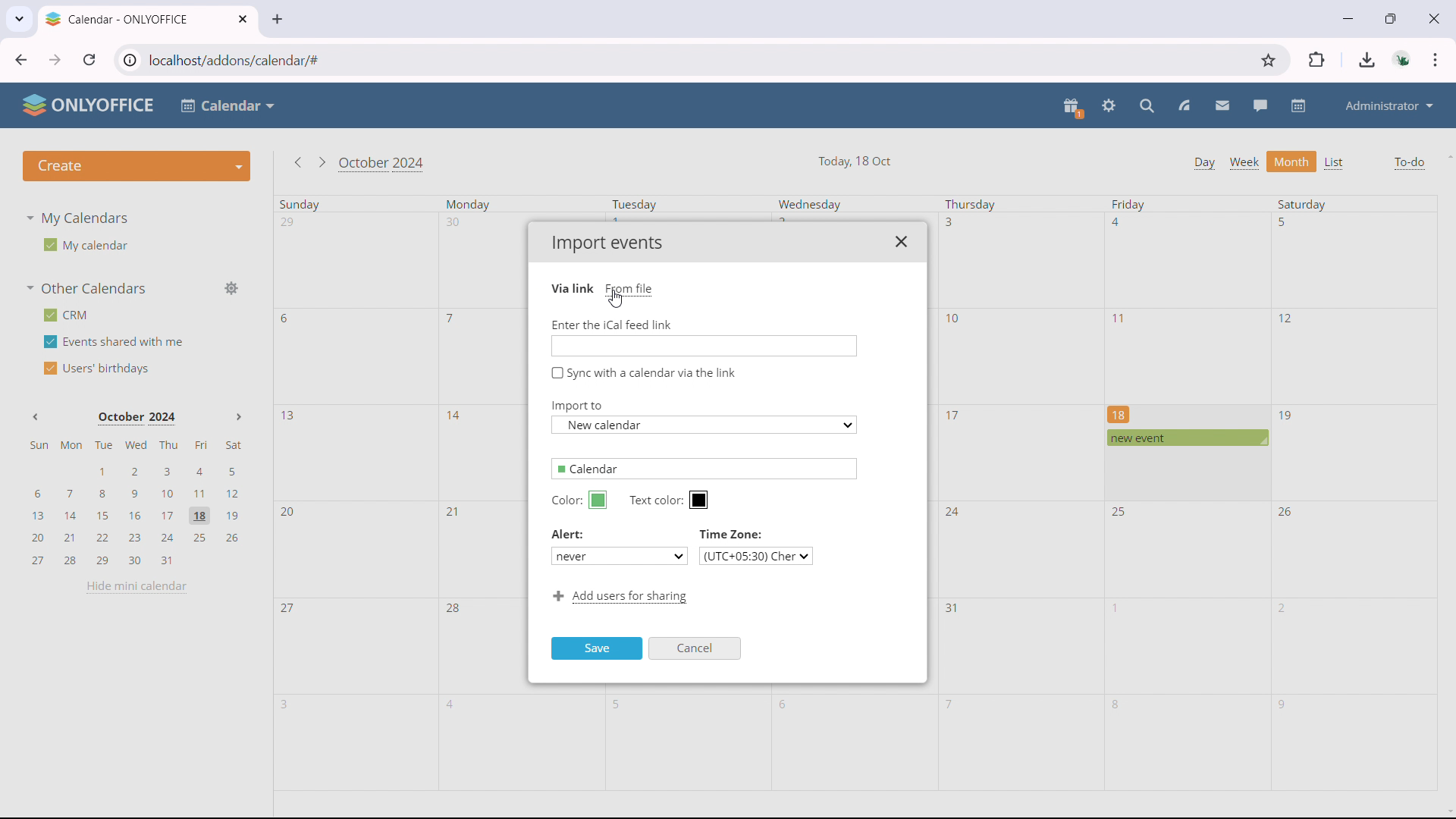 This screenshot has width=1456, height=819. I want to click on 24, so click(952, 513).